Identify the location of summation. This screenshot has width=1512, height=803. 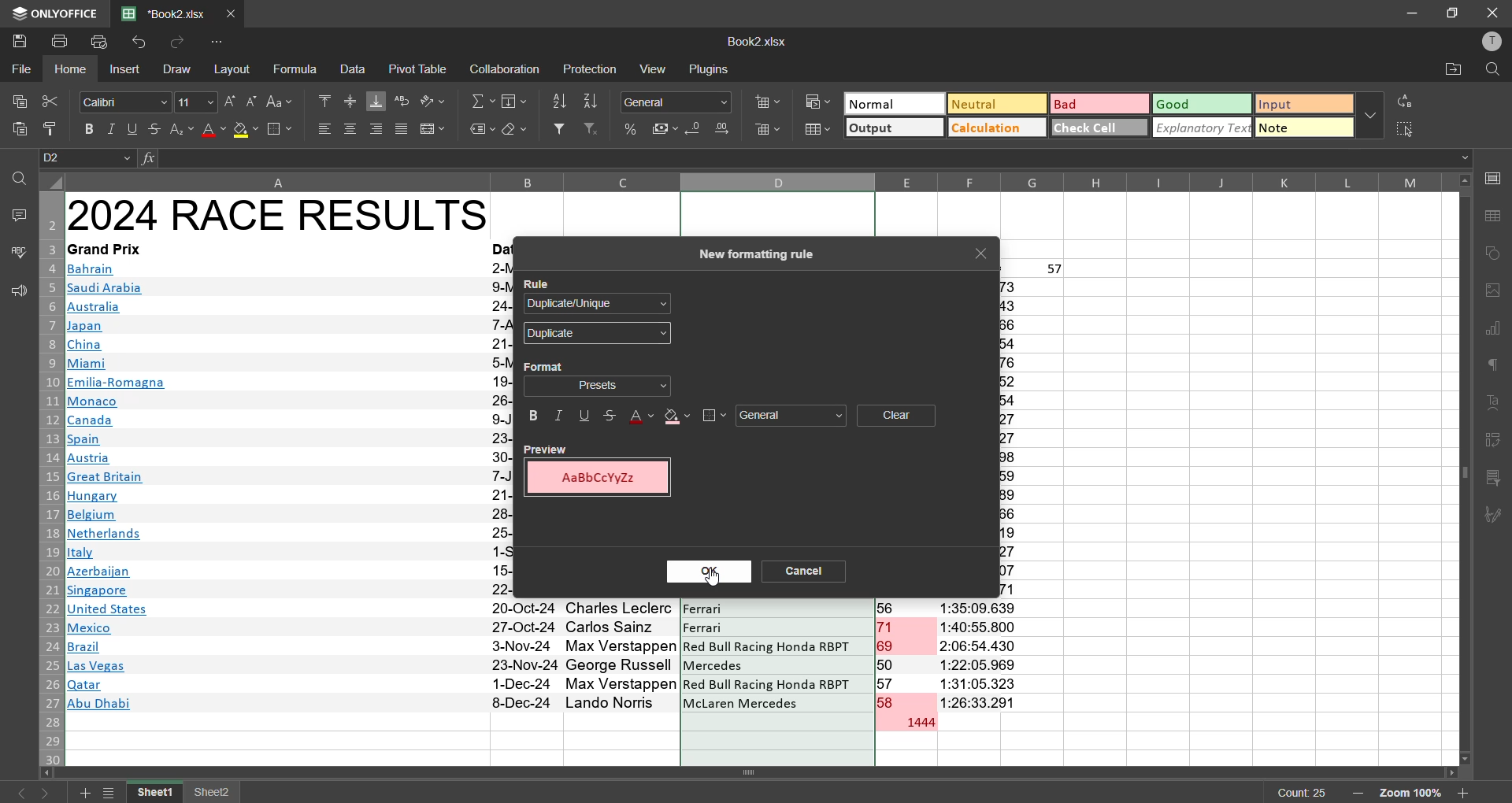
(483, 102).